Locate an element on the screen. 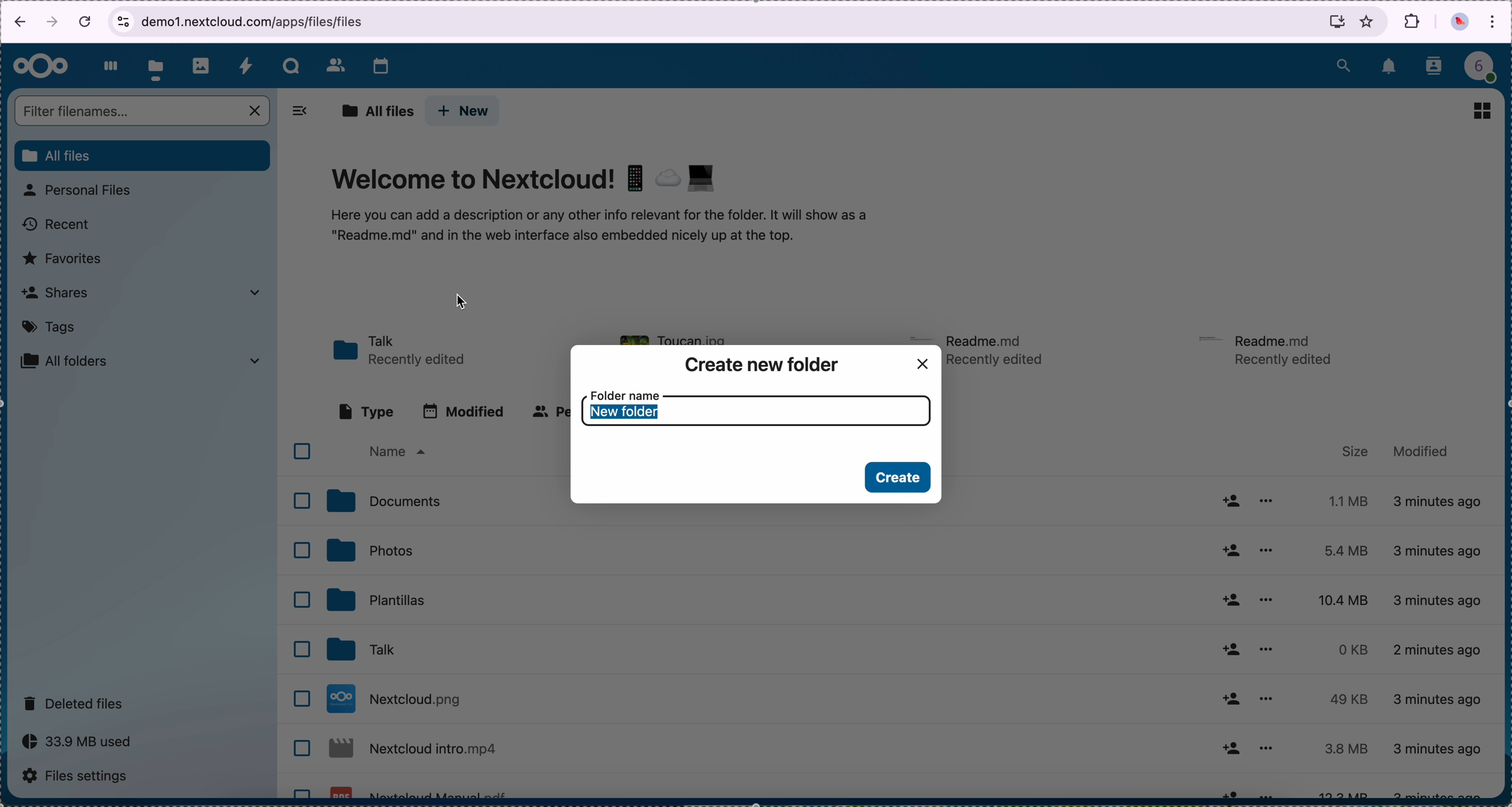  10.4 MB is located at coordinates (1345, 601).